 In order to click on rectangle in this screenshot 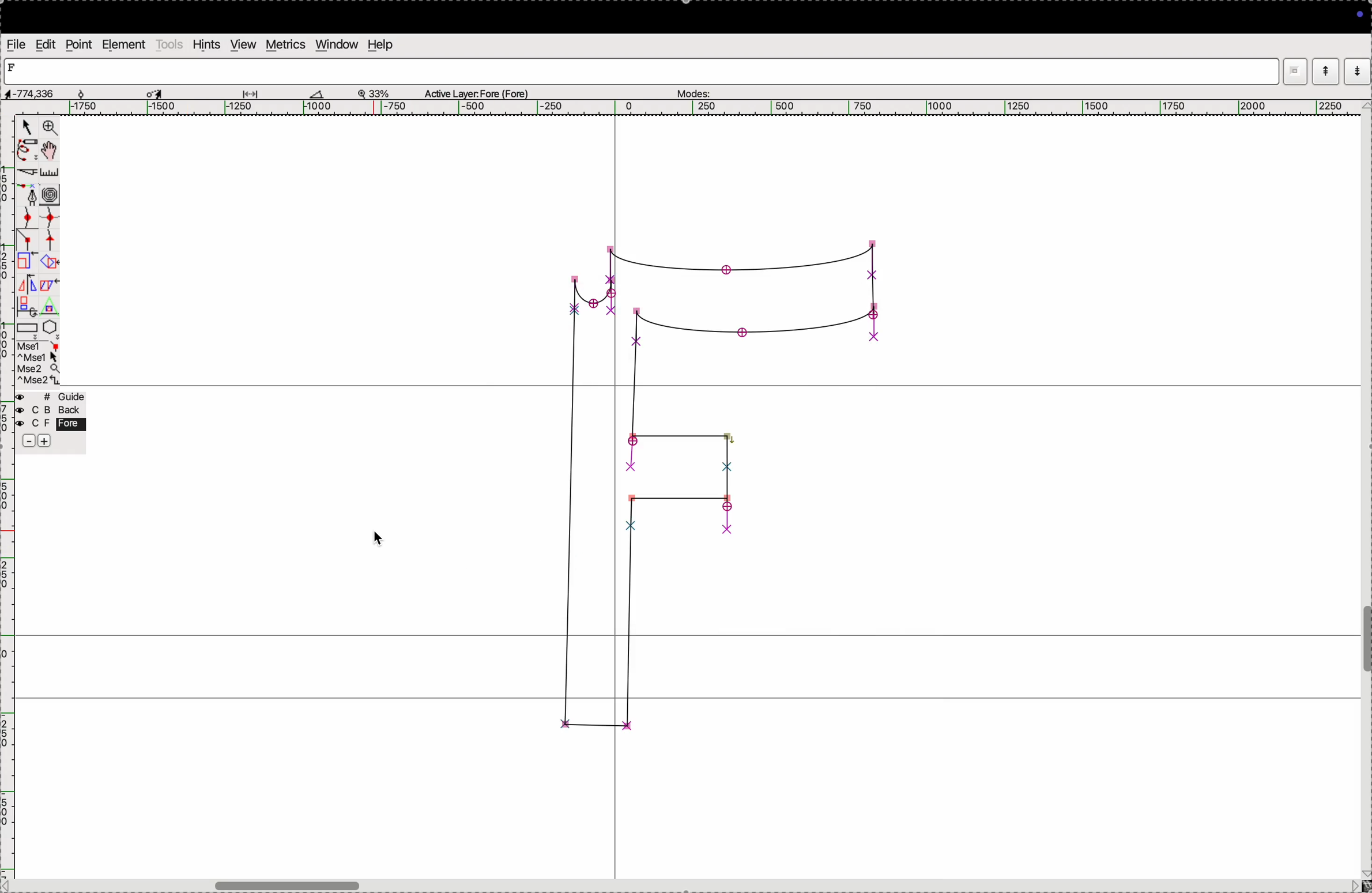, I will do `click(27, 330)`.